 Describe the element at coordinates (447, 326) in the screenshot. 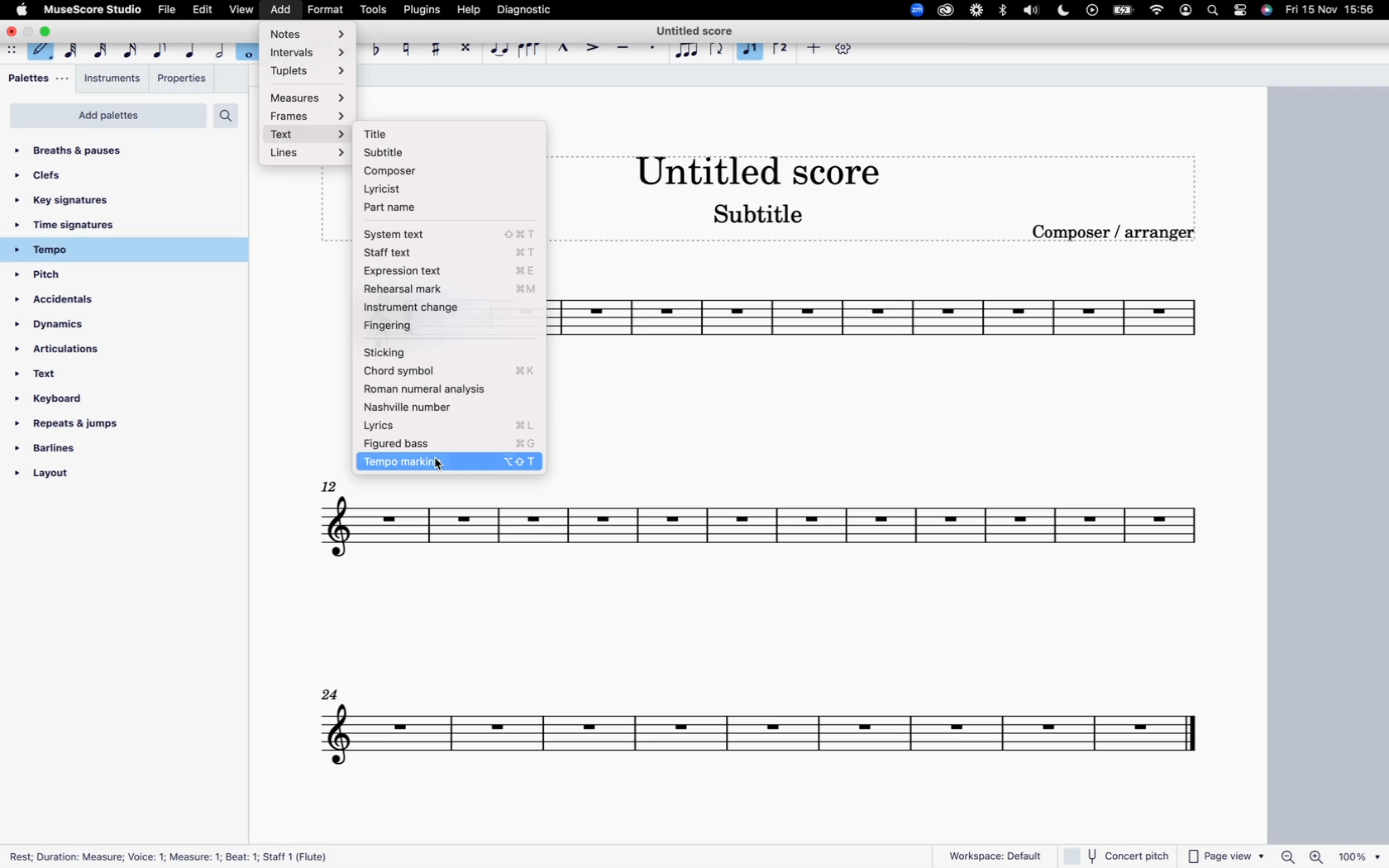

I see `fingering` at that location.